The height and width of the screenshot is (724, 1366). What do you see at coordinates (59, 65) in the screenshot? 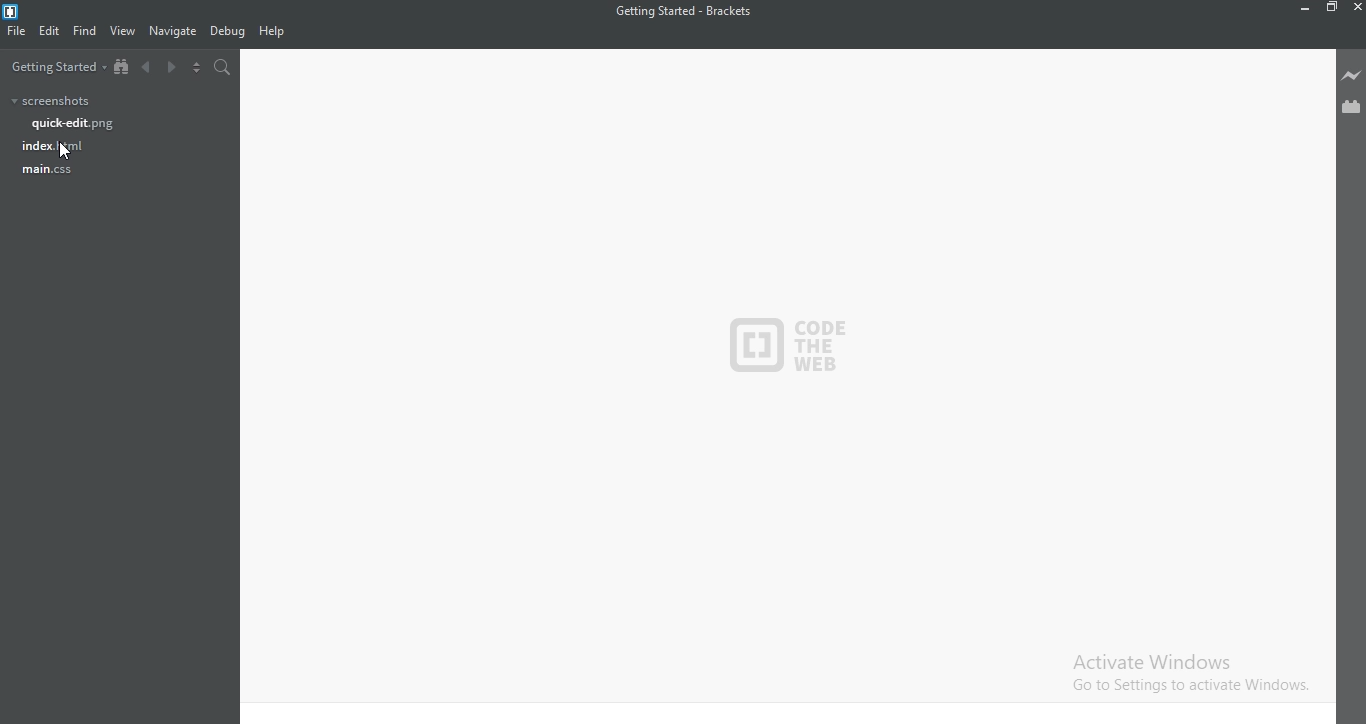
I see `Getting started` at bounding box center [59, 65].